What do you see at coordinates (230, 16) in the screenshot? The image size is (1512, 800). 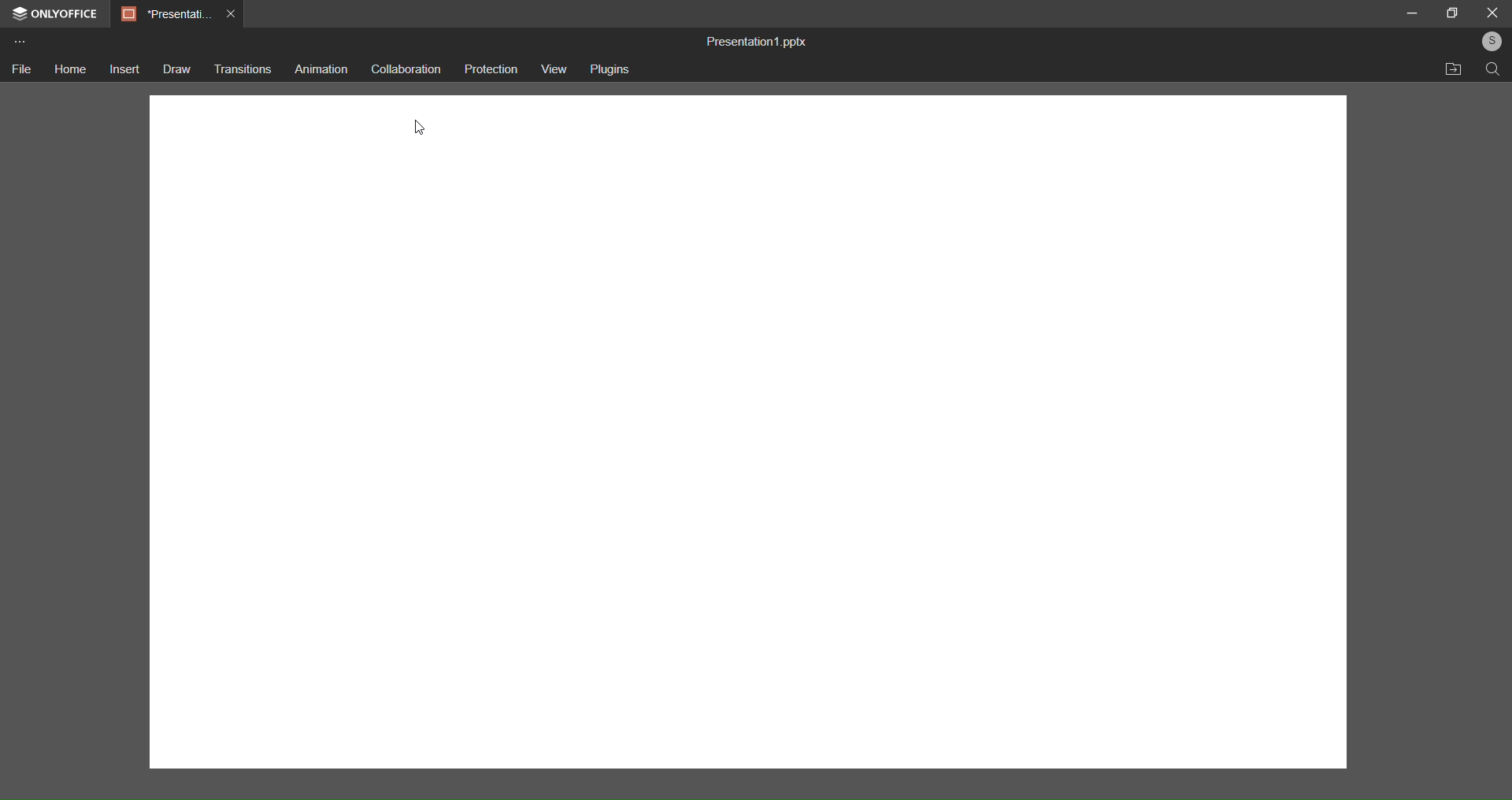 I see `close tab` at bounding box center [230, 16].